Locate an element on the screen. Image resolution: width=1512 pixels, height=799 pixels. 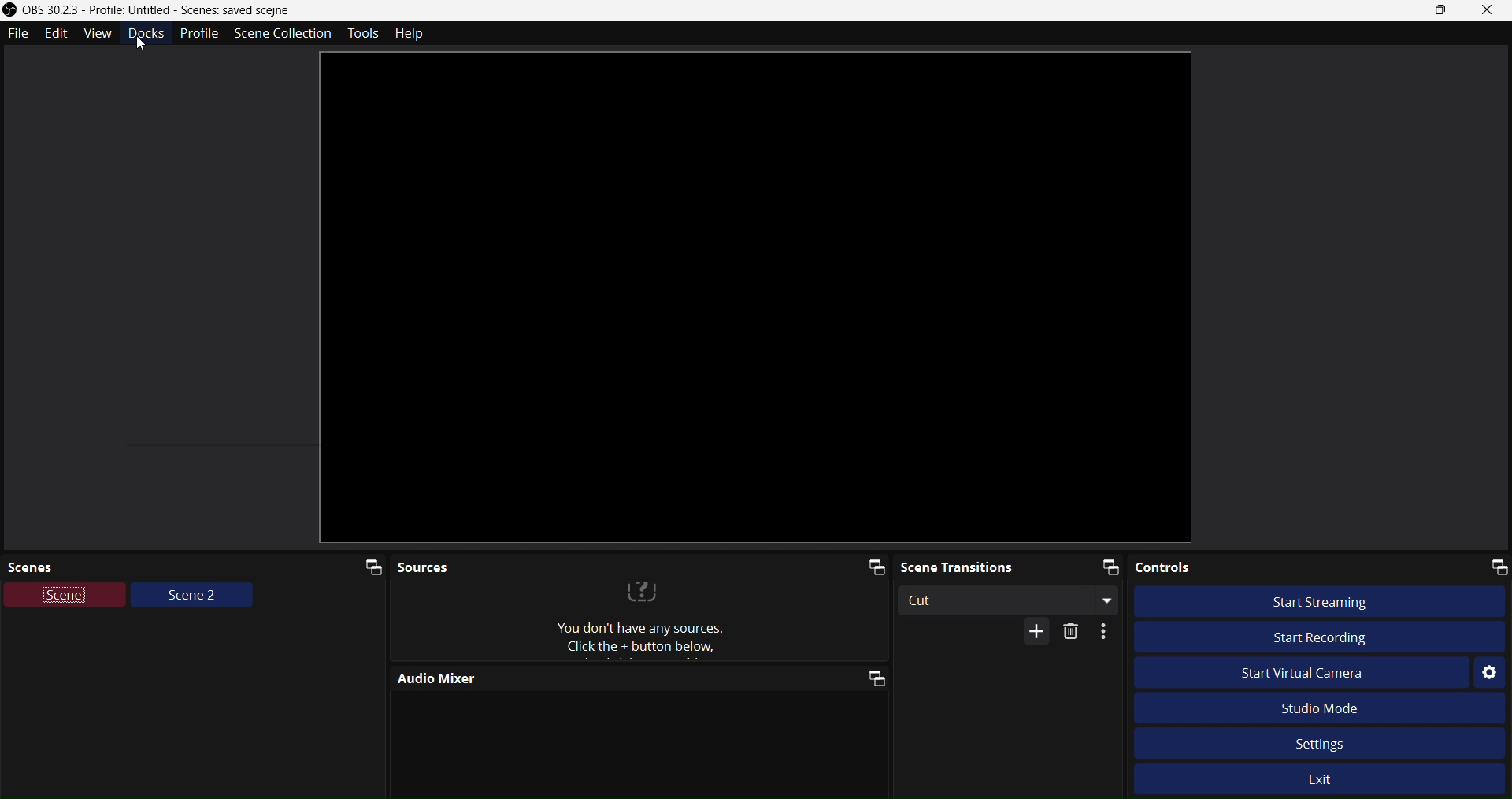
dock panel is located at coordinates (1102, 566).